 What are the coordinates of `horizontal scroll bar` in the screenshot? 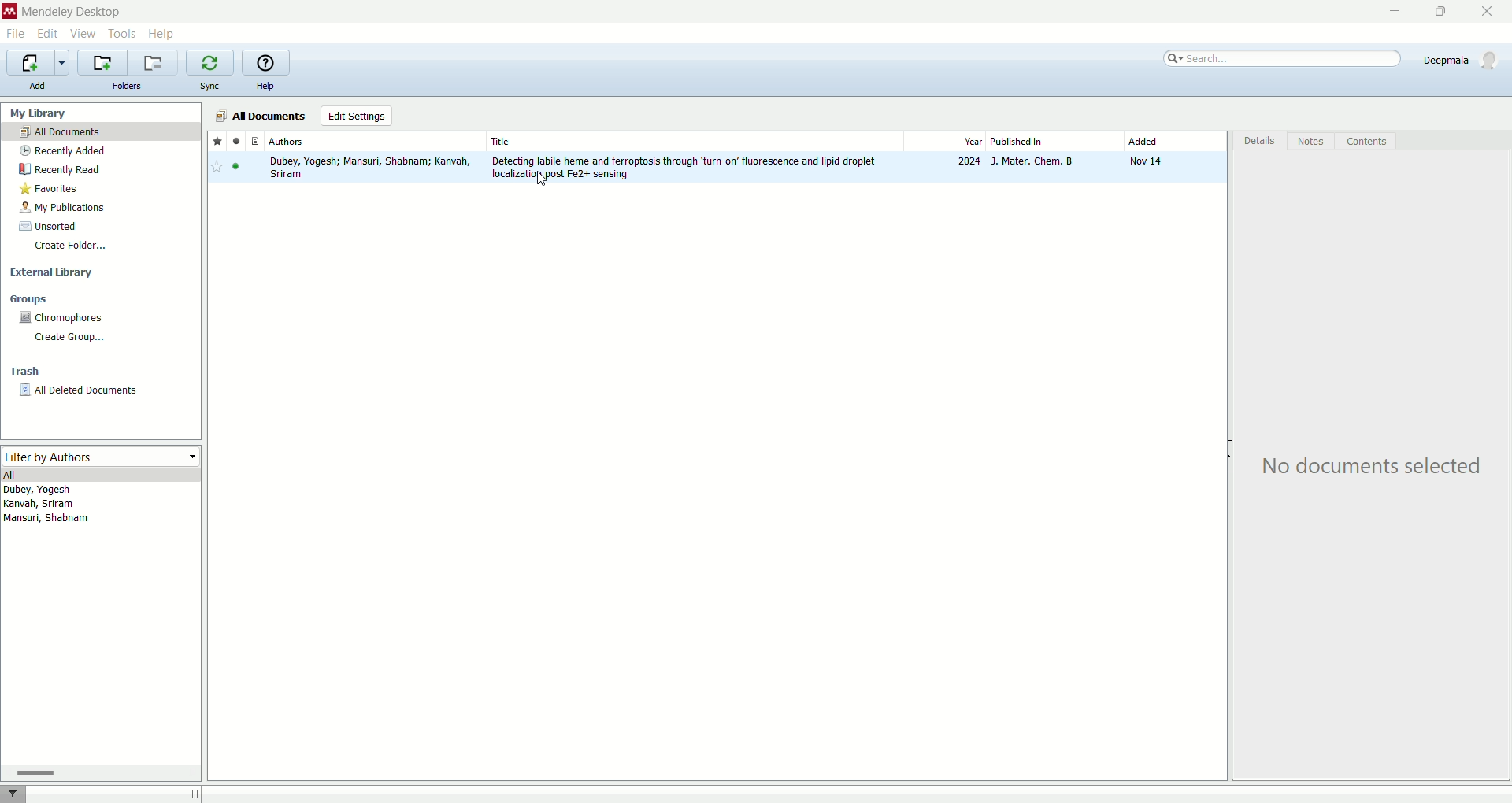 It's located at (100, 773).